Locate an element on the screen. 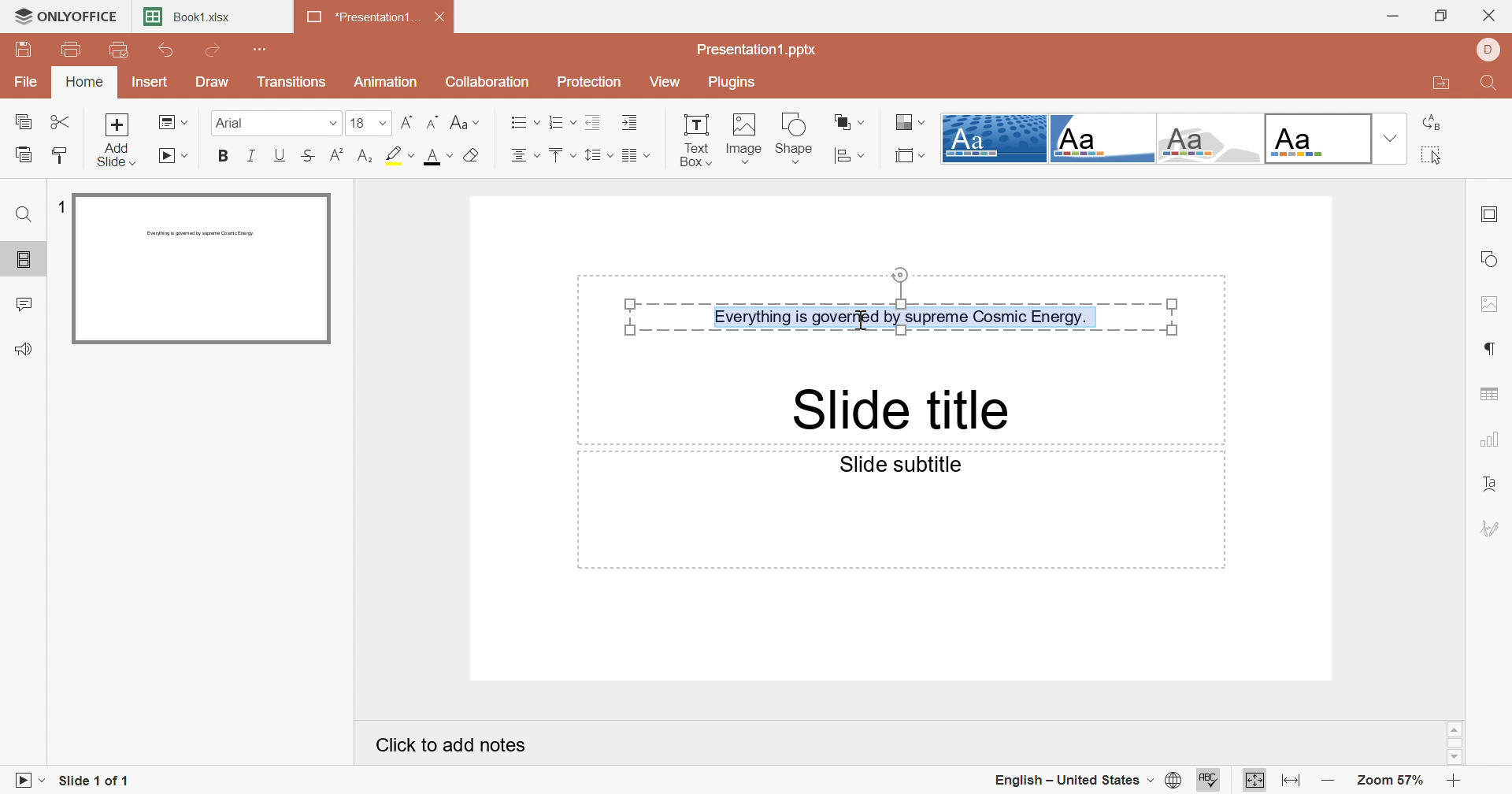  Zoom in is located at coordinates (1456, 781).